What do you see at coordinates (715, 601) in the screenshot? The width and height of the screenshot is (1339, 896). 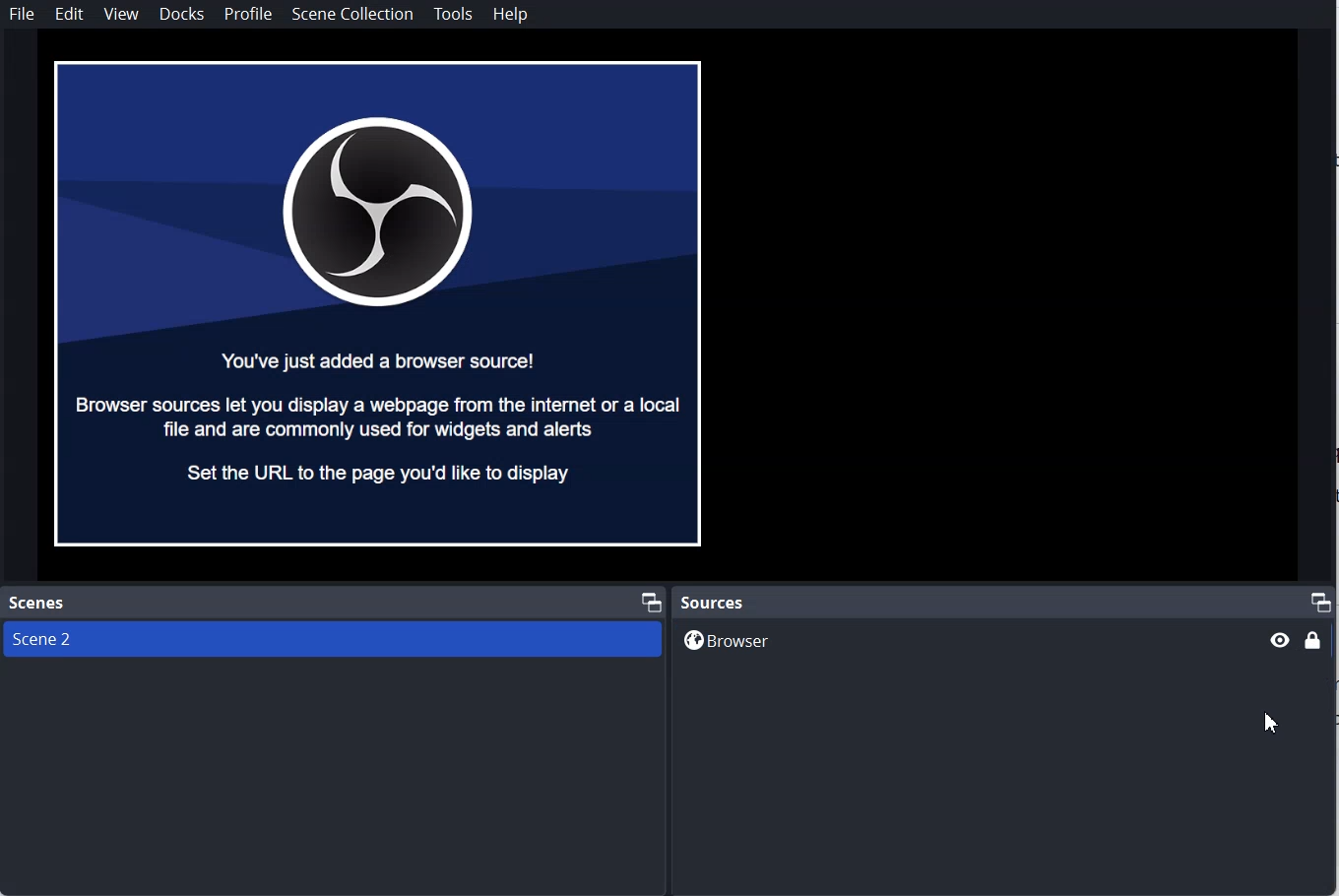 I see `Source` at bounding box center [715, 601].